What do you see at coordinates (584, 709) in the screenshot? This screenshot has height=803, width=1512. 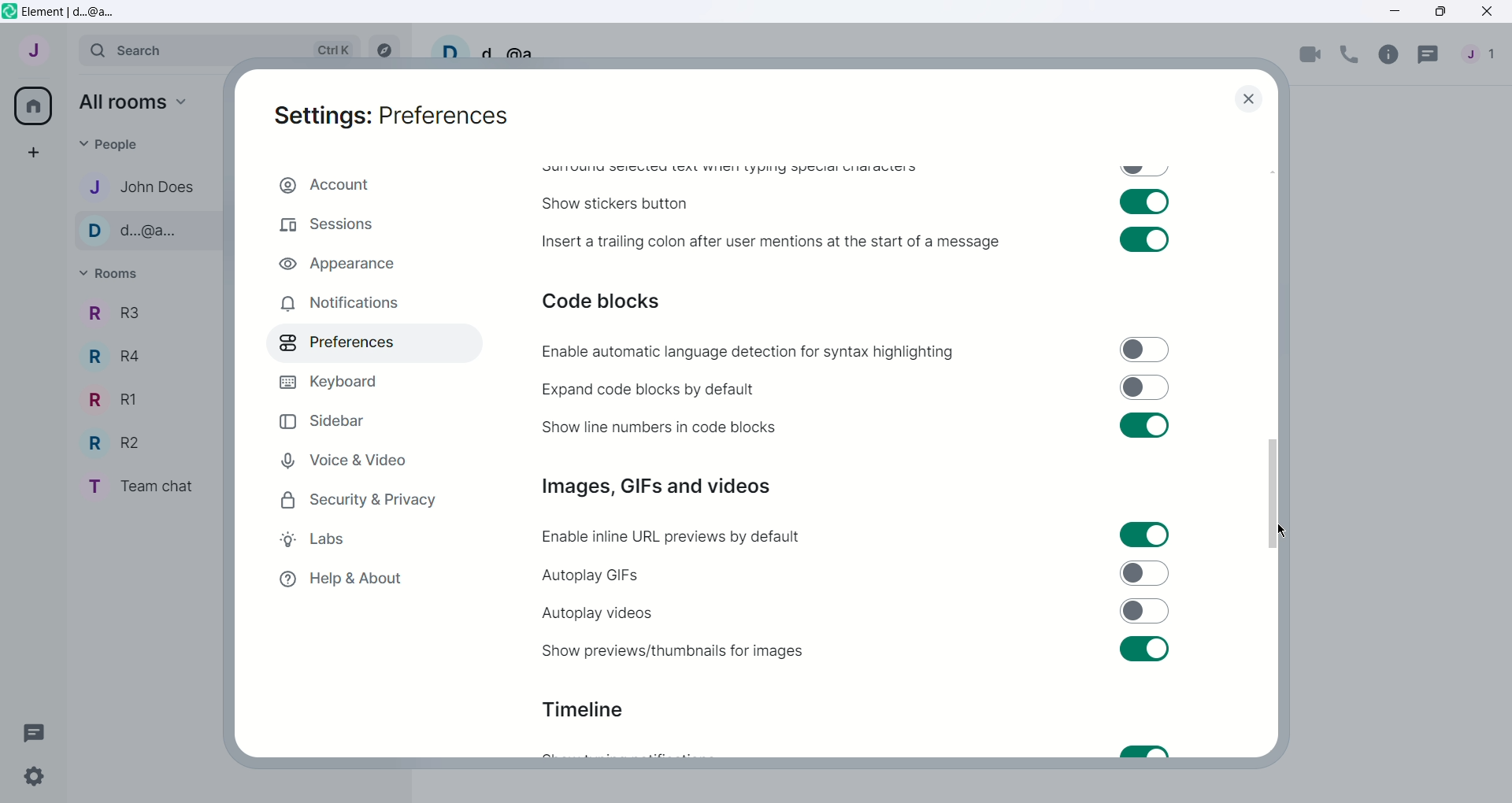 I see `Timeline` at bounding box center [584, 709].